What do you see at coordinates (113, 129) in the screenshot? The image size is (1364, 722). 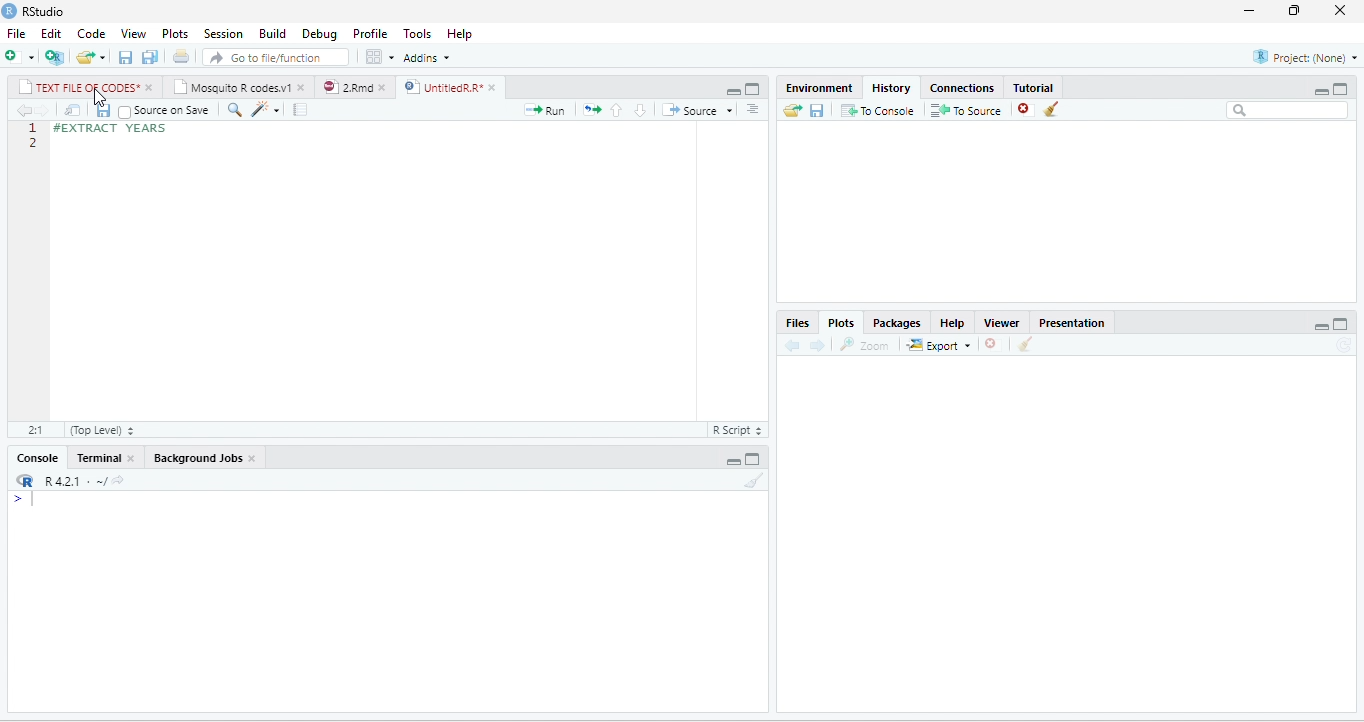 I see `#EXTRACT YEARS` at bounding box center [113, 129].